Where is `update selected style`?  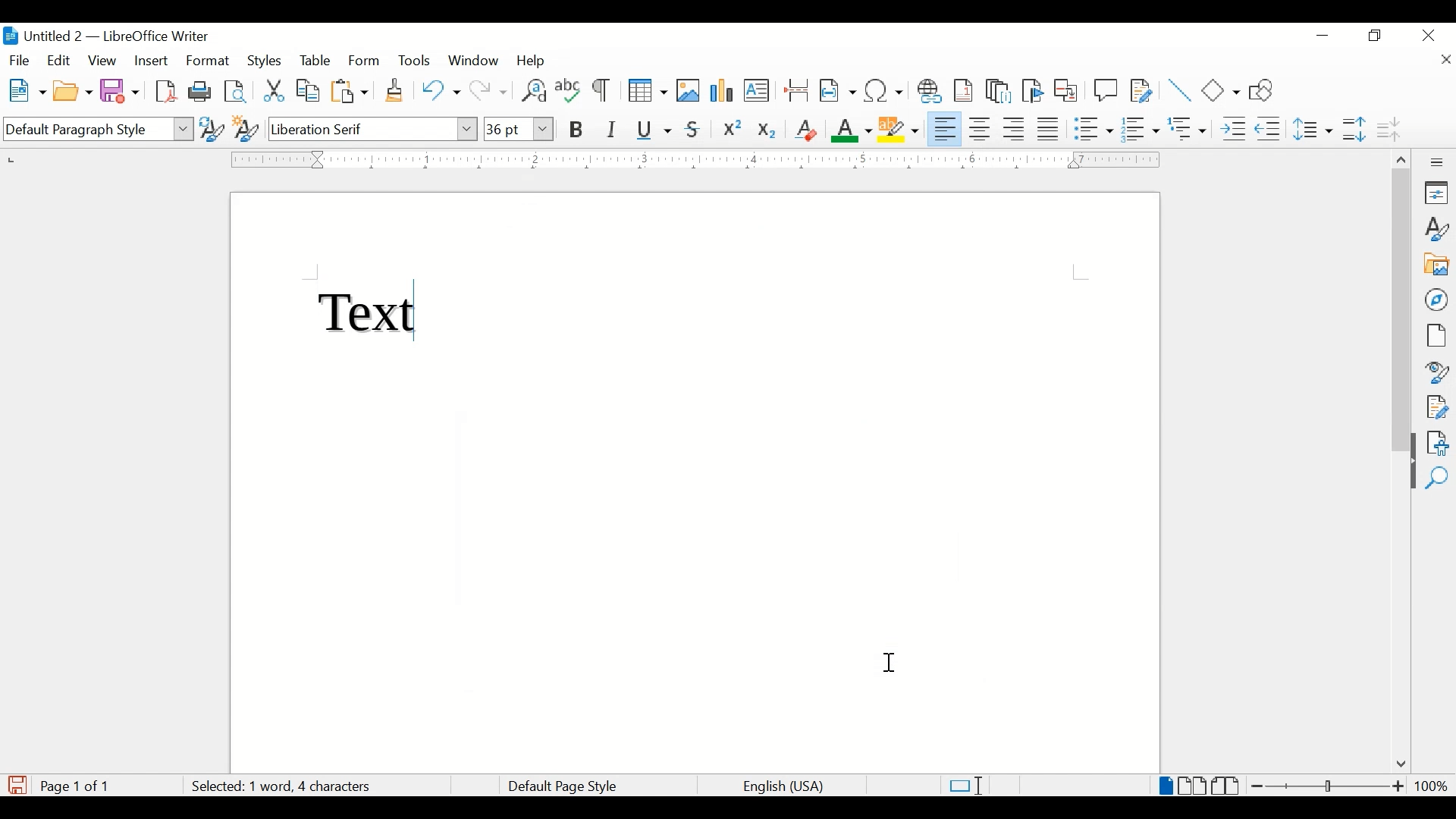 update selected style is located at coordinates (212, 128).